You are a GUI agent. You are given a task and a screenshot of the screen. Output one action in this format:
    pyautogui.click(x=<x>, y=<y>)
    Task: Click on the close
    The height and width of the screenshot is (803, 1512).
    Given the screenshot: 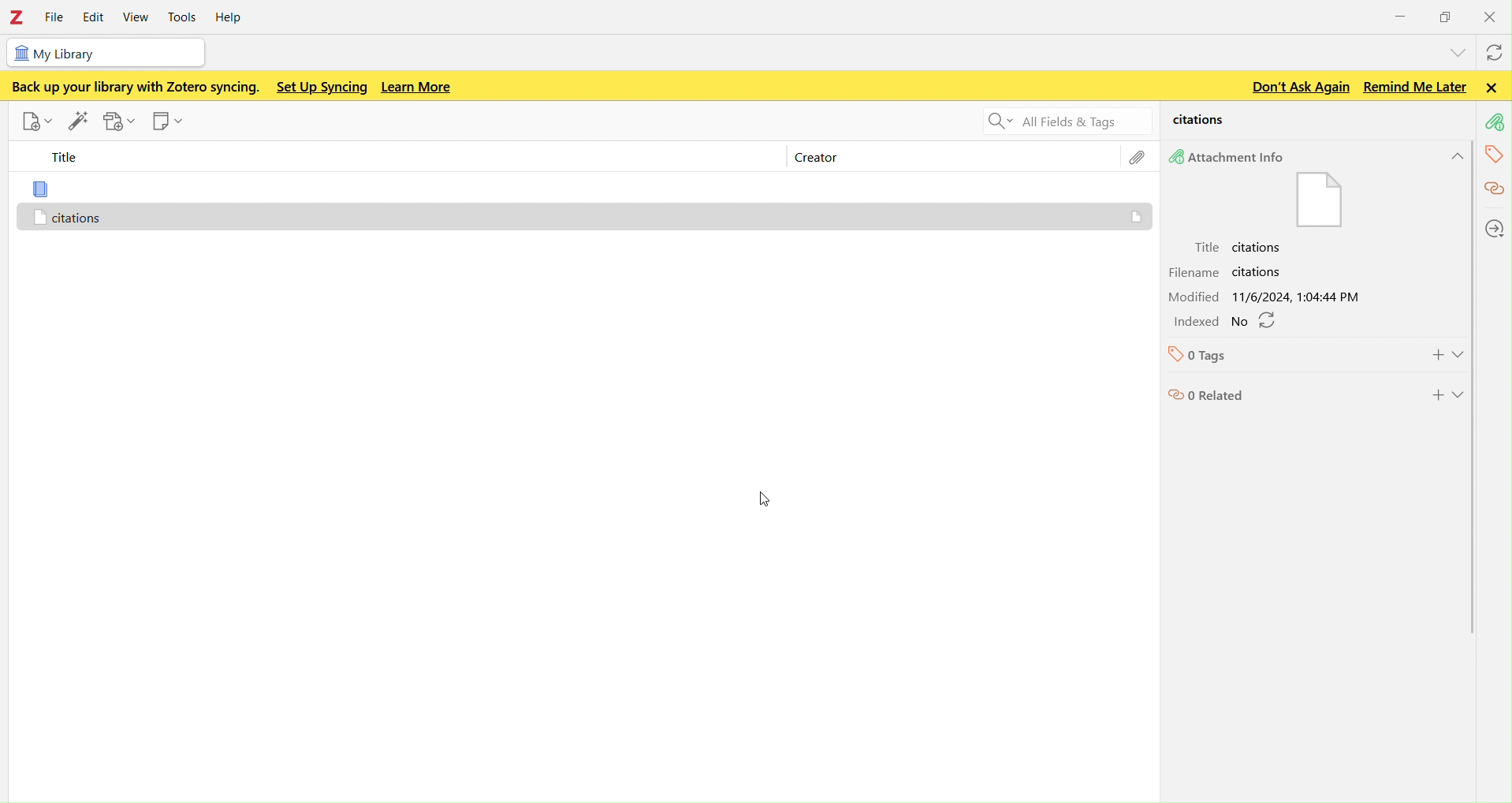 What is the action you would take?
    pyautogui.click(x=1492, y=15)
    